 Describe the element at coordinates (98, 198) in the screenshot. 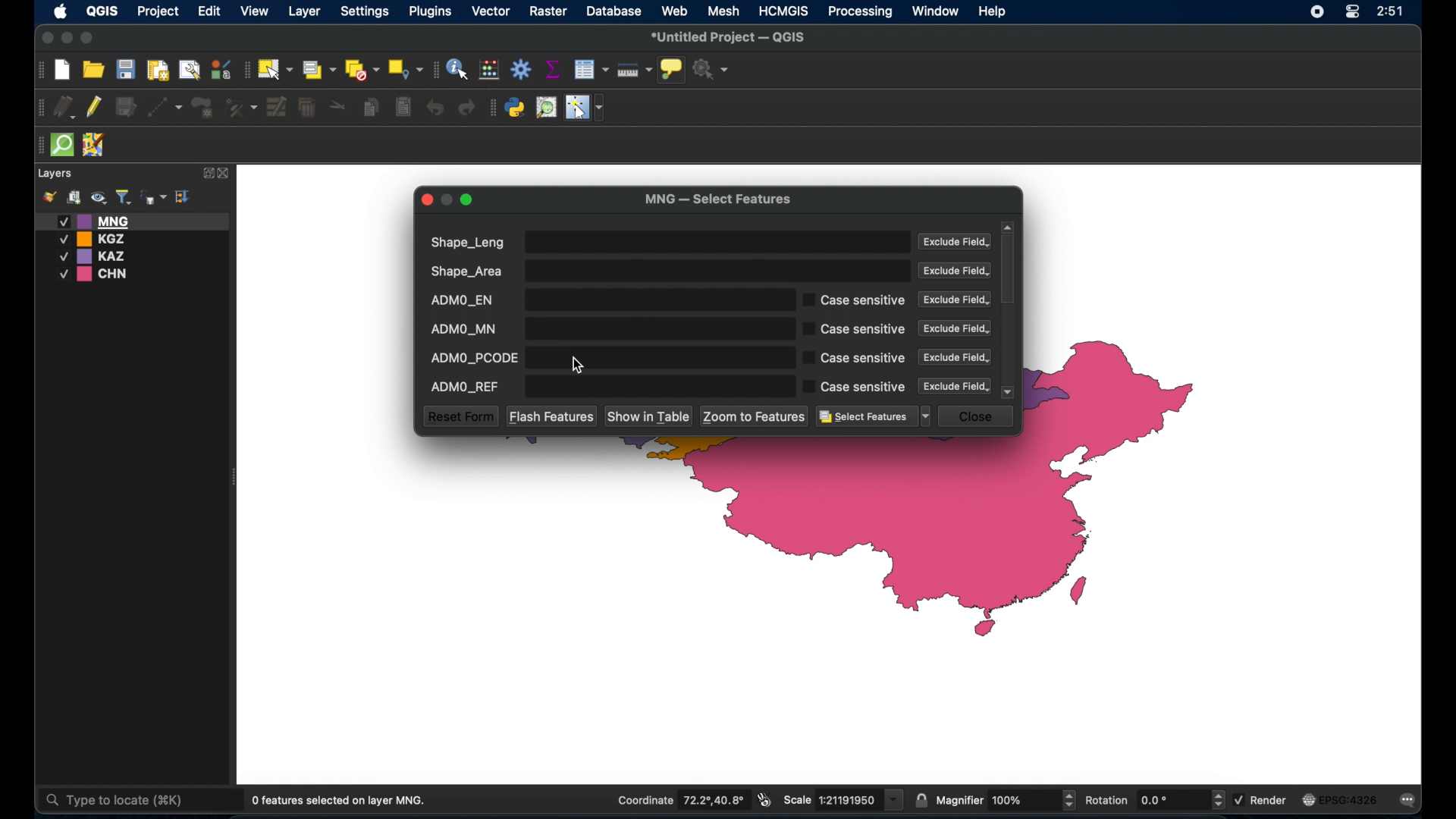

I see `manage map theme` at that location.